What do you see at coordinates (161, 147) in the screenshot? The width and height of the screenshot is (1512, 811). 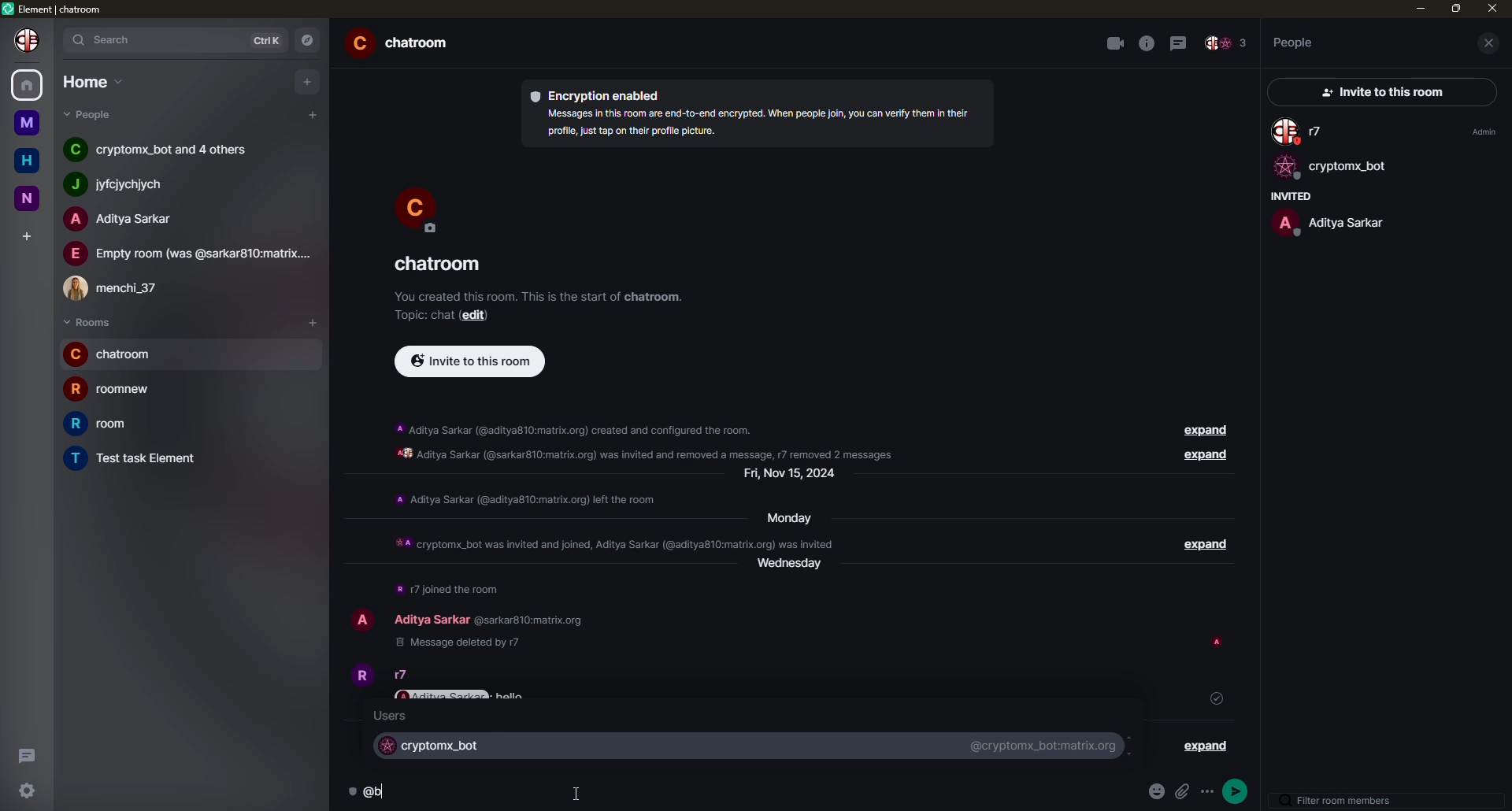 I see `people` at bounding box center [161, 147].